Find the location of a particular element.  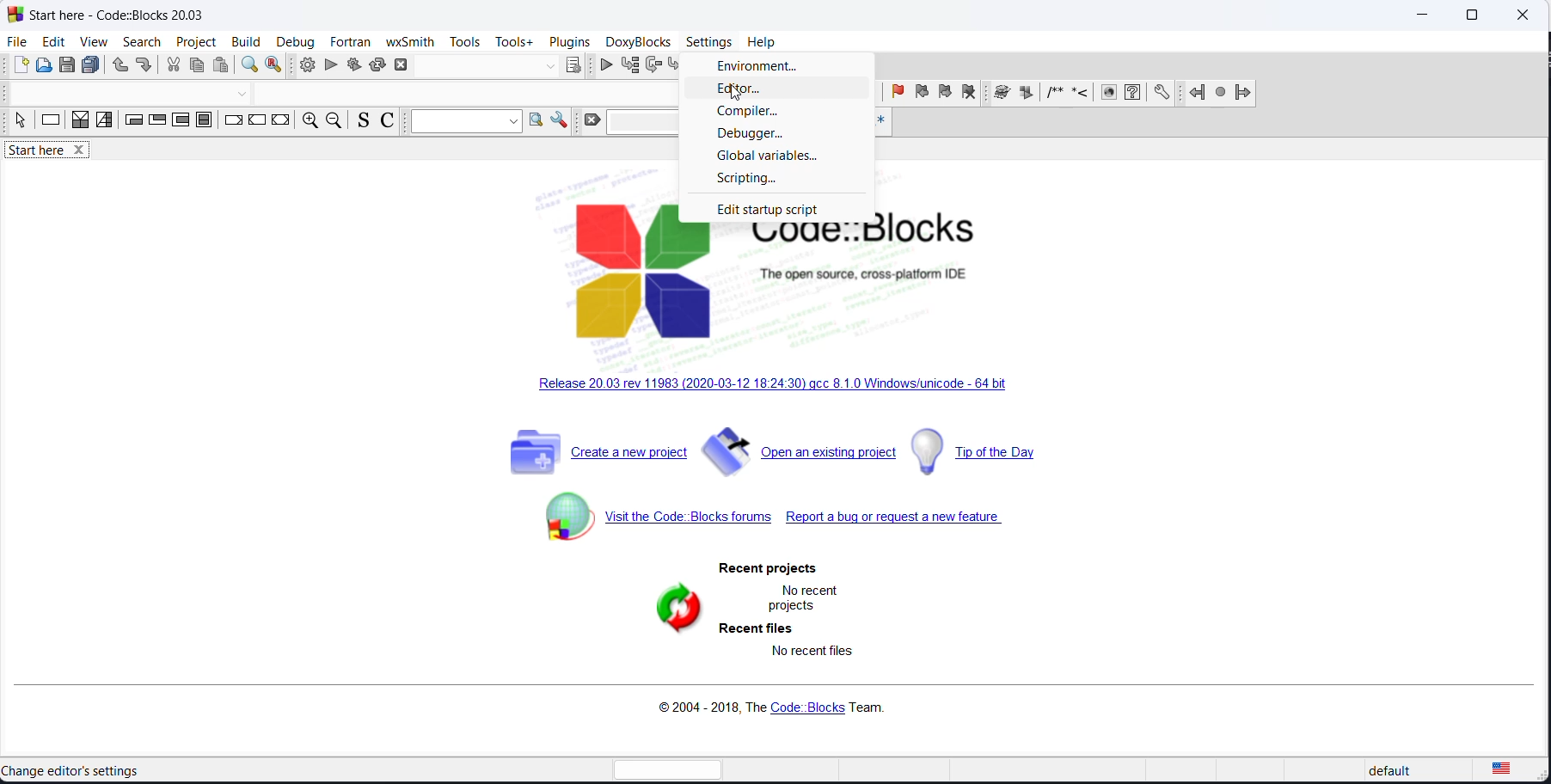

tools is located at coordinates (465, 41).